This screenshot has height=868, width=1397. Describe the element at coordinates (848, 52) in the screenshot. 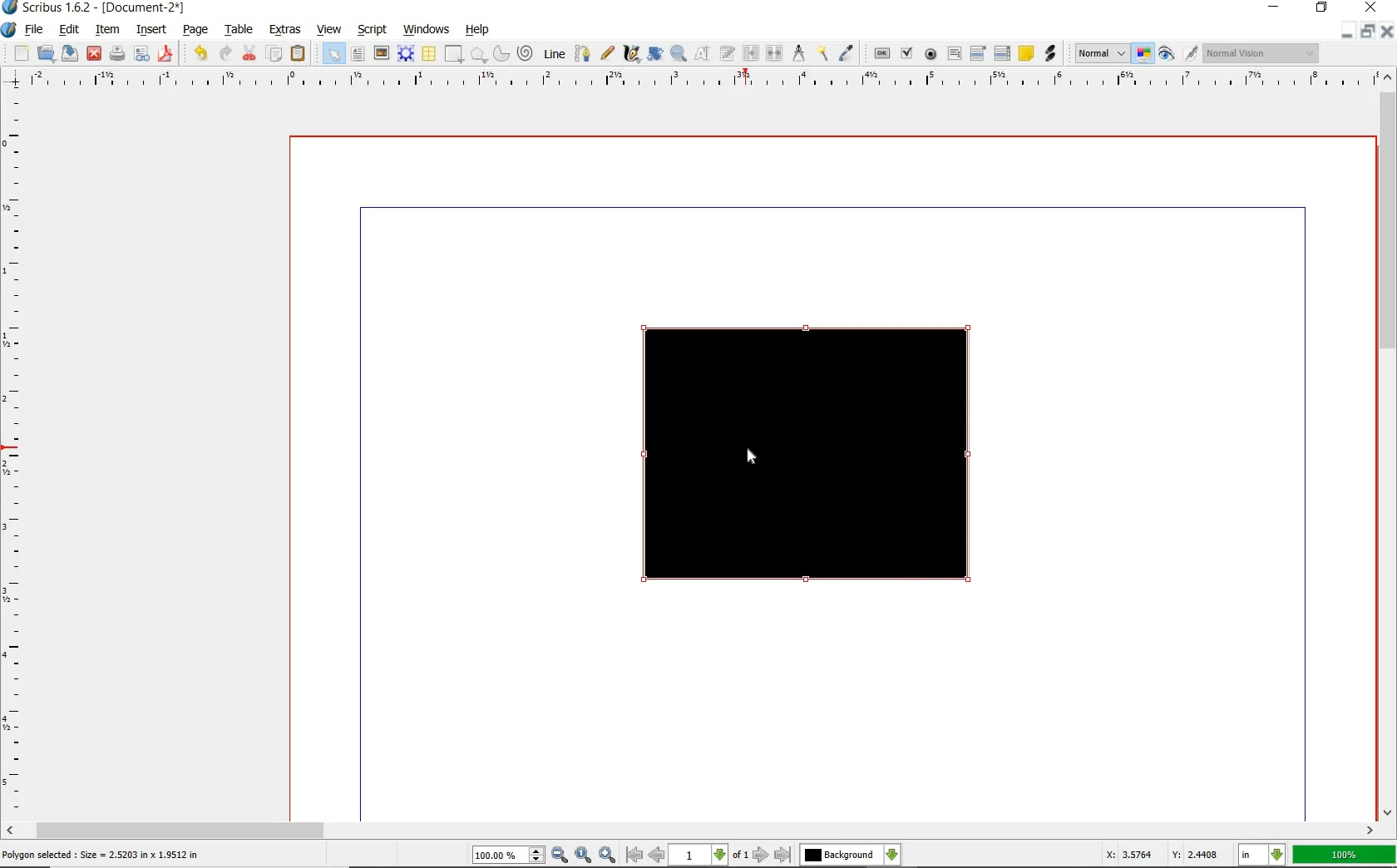

I see `eye dropper` at that location.